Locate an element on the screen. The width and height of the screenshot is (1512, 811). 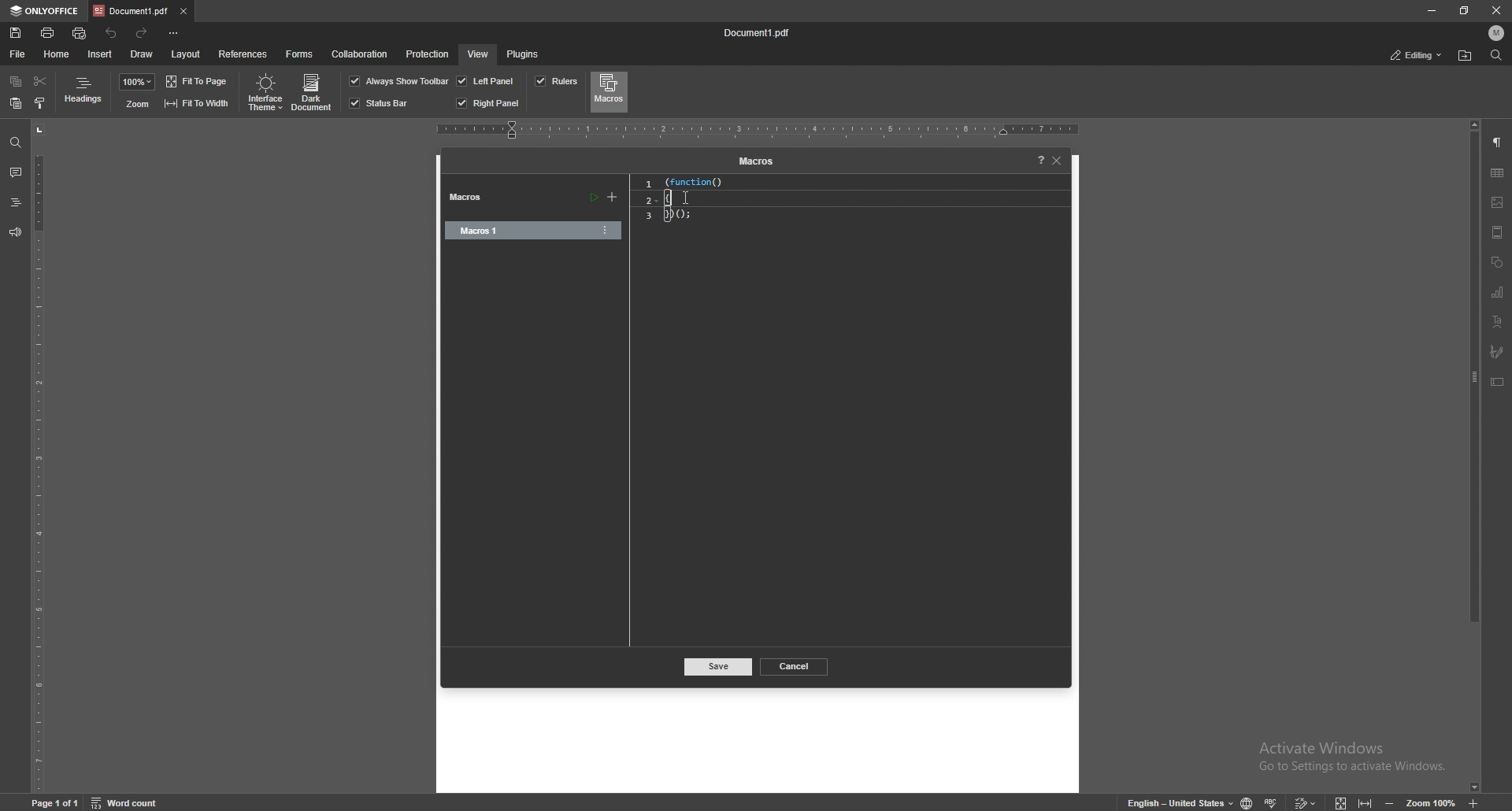
help is located at coordinates (1036, 161).